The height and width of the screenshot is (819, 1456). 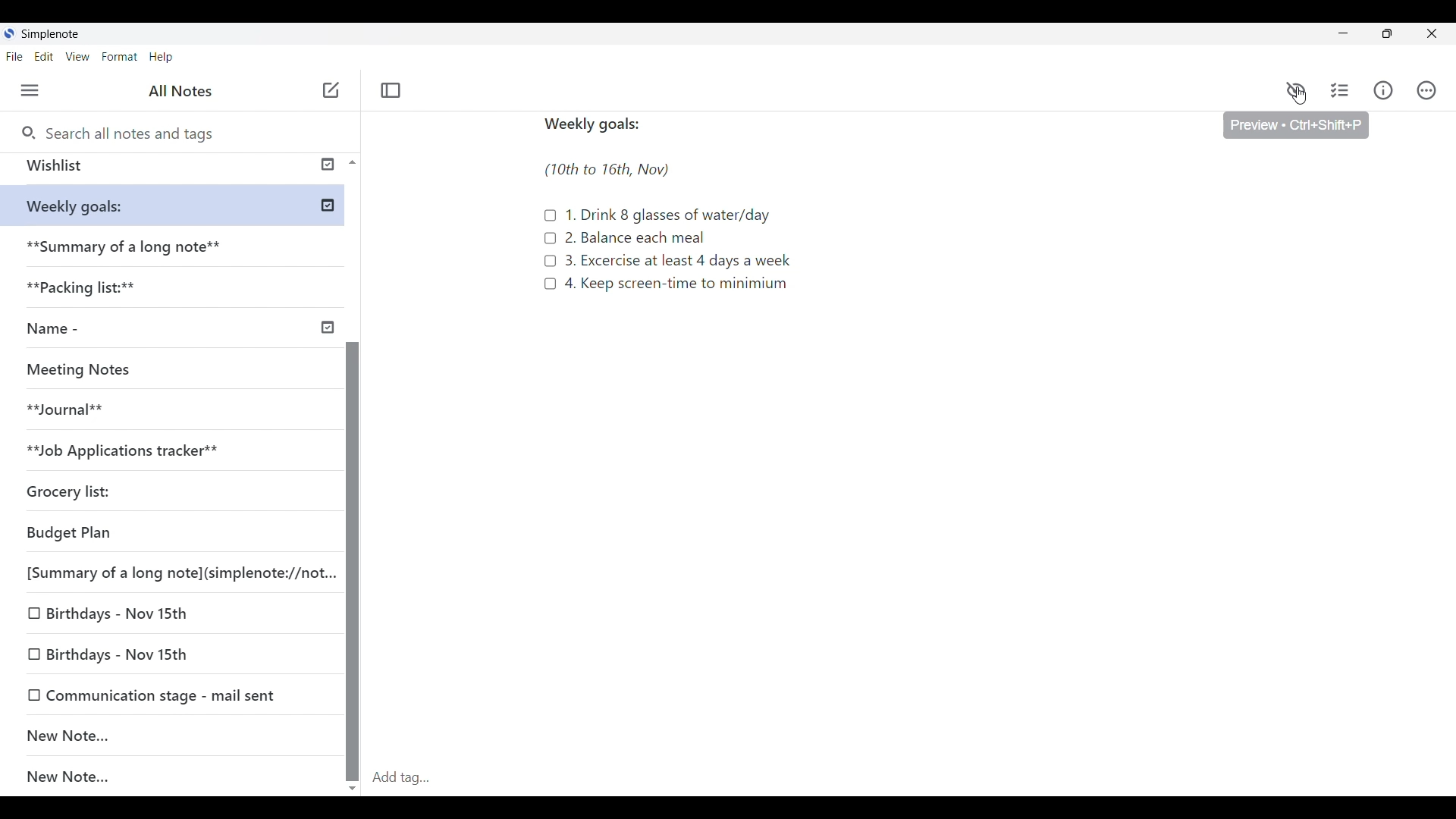 What do you see at coordinates (548, 283) in the screenshot?
I see `Checklist icon` at bounding box center [548, 283].